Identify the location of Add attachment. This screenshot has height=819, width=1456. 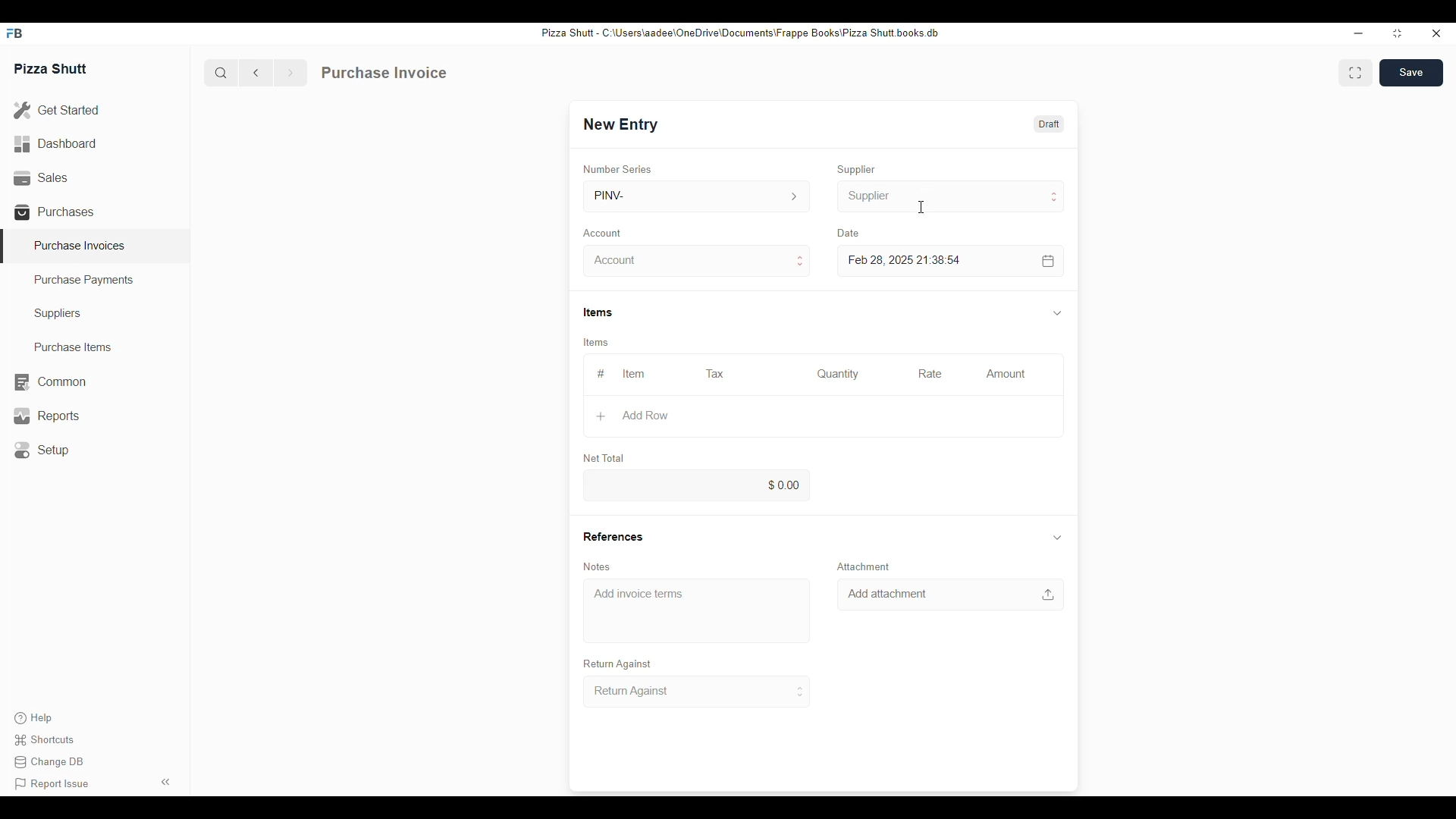
(890, 594).